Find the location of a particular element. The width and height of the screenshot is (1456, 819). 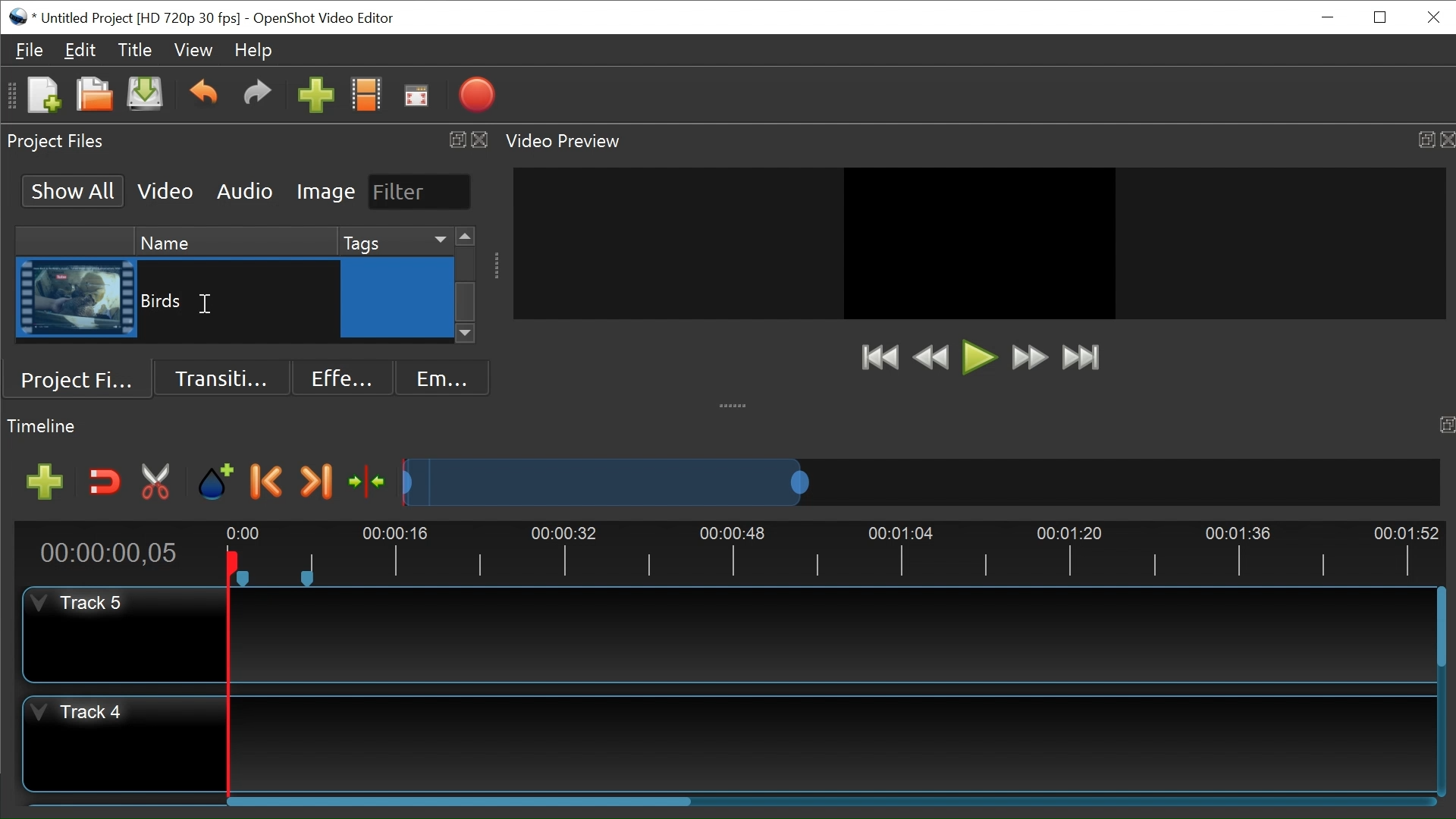

Track Panel is located at coordinates (831, 633).